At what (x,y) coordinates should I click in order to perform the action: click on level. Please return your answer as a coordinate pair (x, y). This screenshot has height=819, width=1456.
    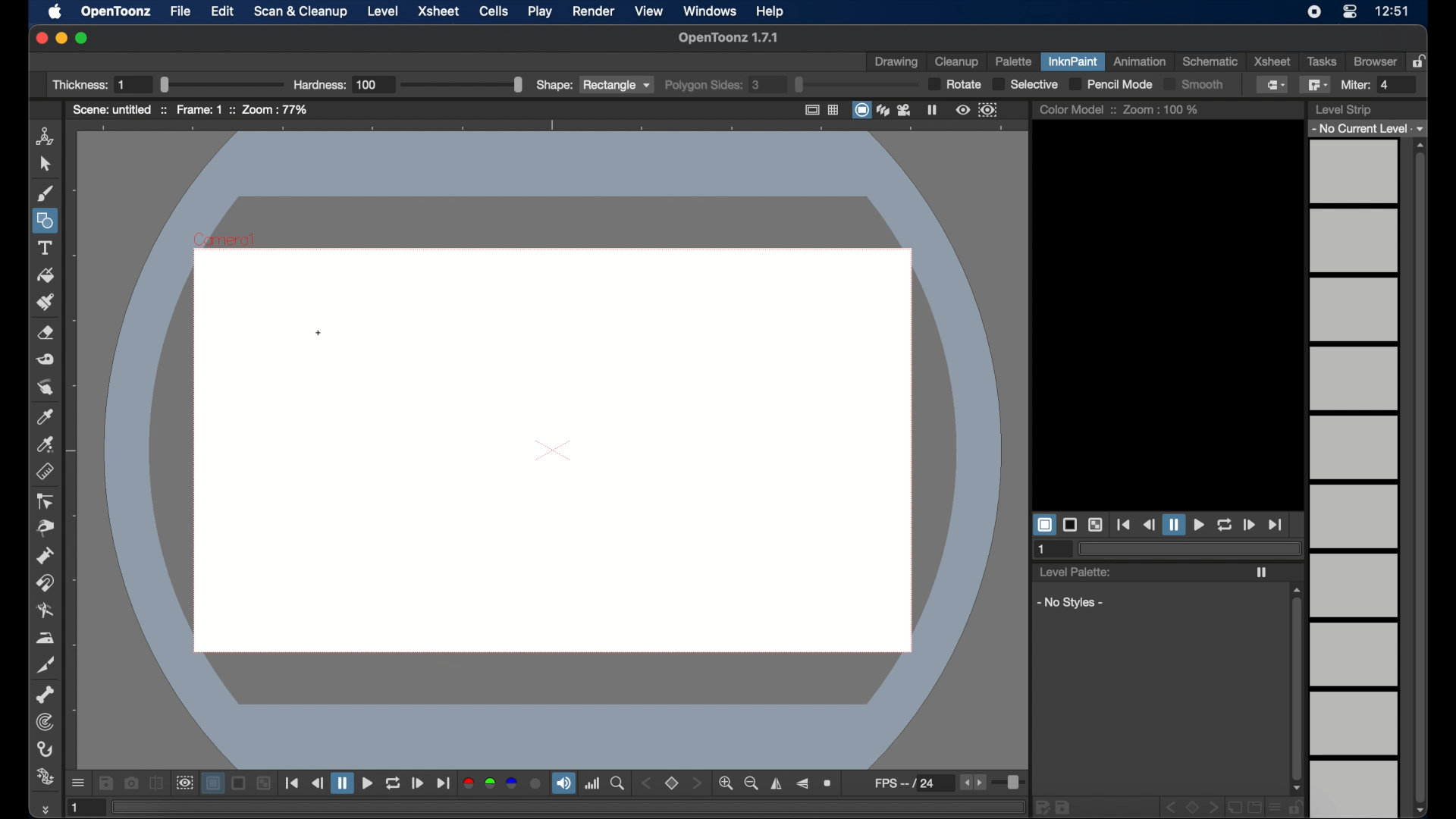
    Looking at the image, I should click on (383, 11).